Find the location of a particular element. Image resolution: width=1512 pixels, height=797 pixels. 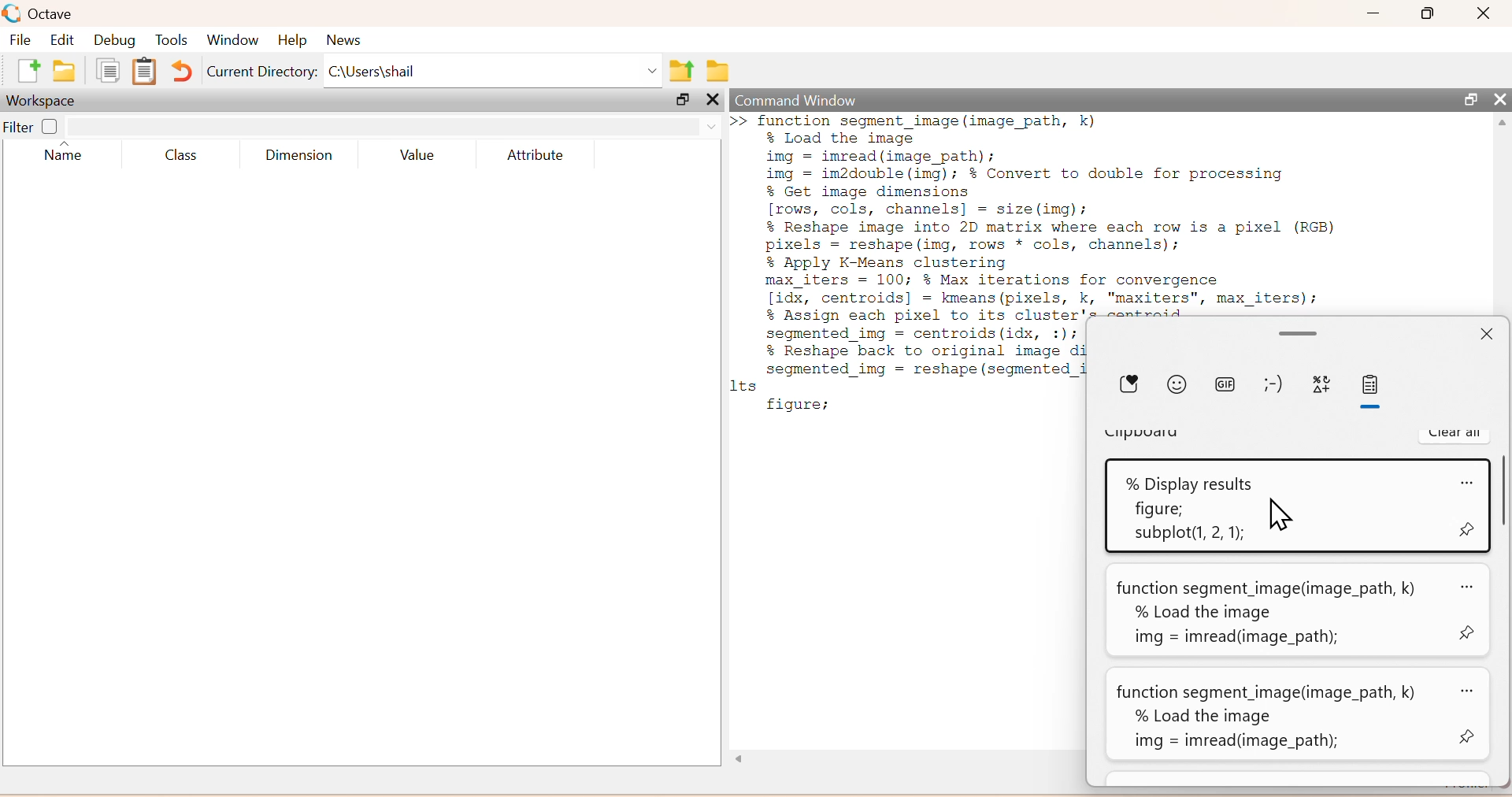

 is located at coordinates (746, 759).